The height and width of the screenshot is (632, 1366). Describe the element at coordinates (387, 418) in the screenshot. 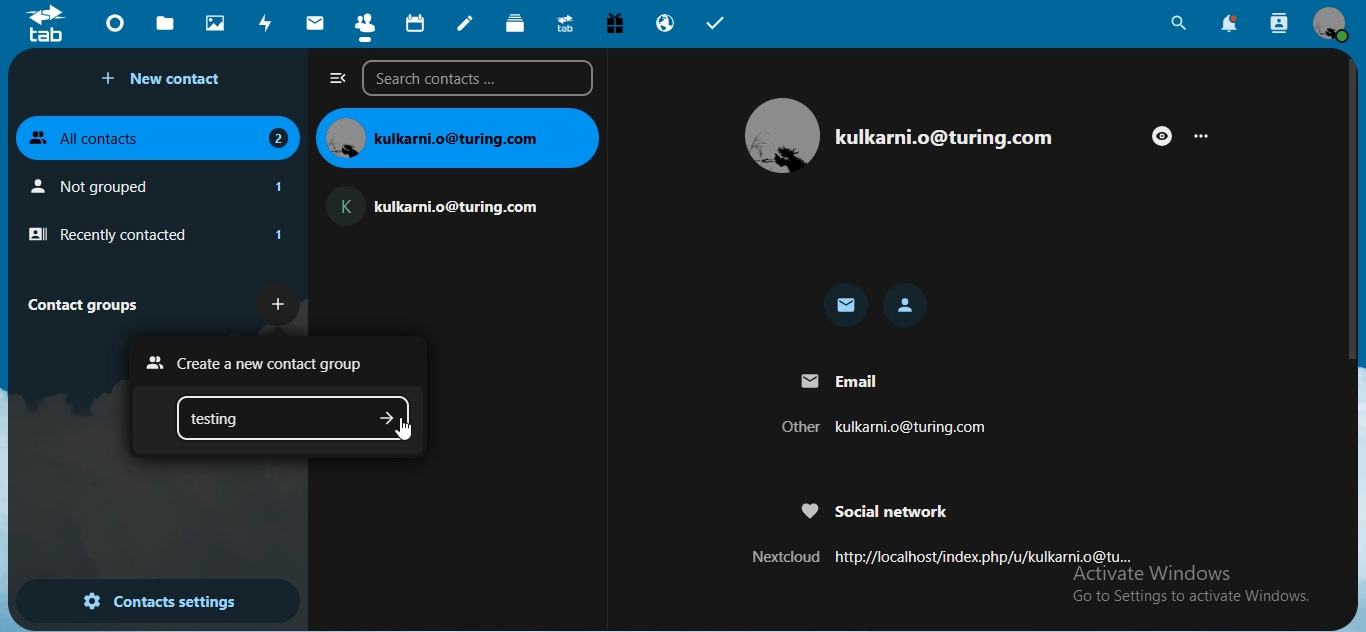

I see `enter` at that location.